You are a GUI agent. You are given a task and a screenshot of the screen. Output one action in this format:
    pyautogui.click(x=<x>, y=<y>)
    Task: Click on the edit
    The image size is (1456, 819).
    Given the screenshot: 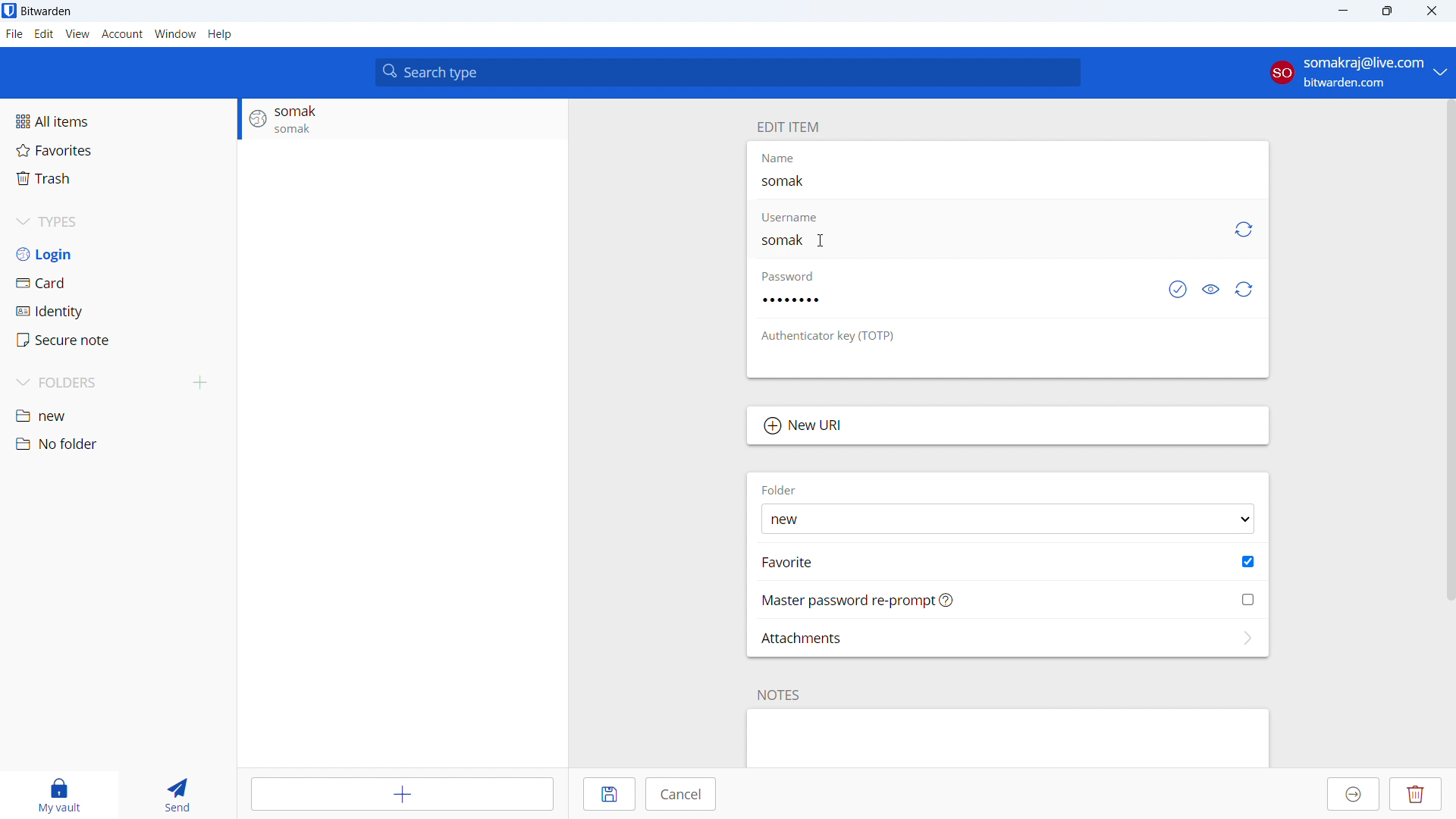 What is the action you would take?
    pyautogui.click(x=43, y=34)
    